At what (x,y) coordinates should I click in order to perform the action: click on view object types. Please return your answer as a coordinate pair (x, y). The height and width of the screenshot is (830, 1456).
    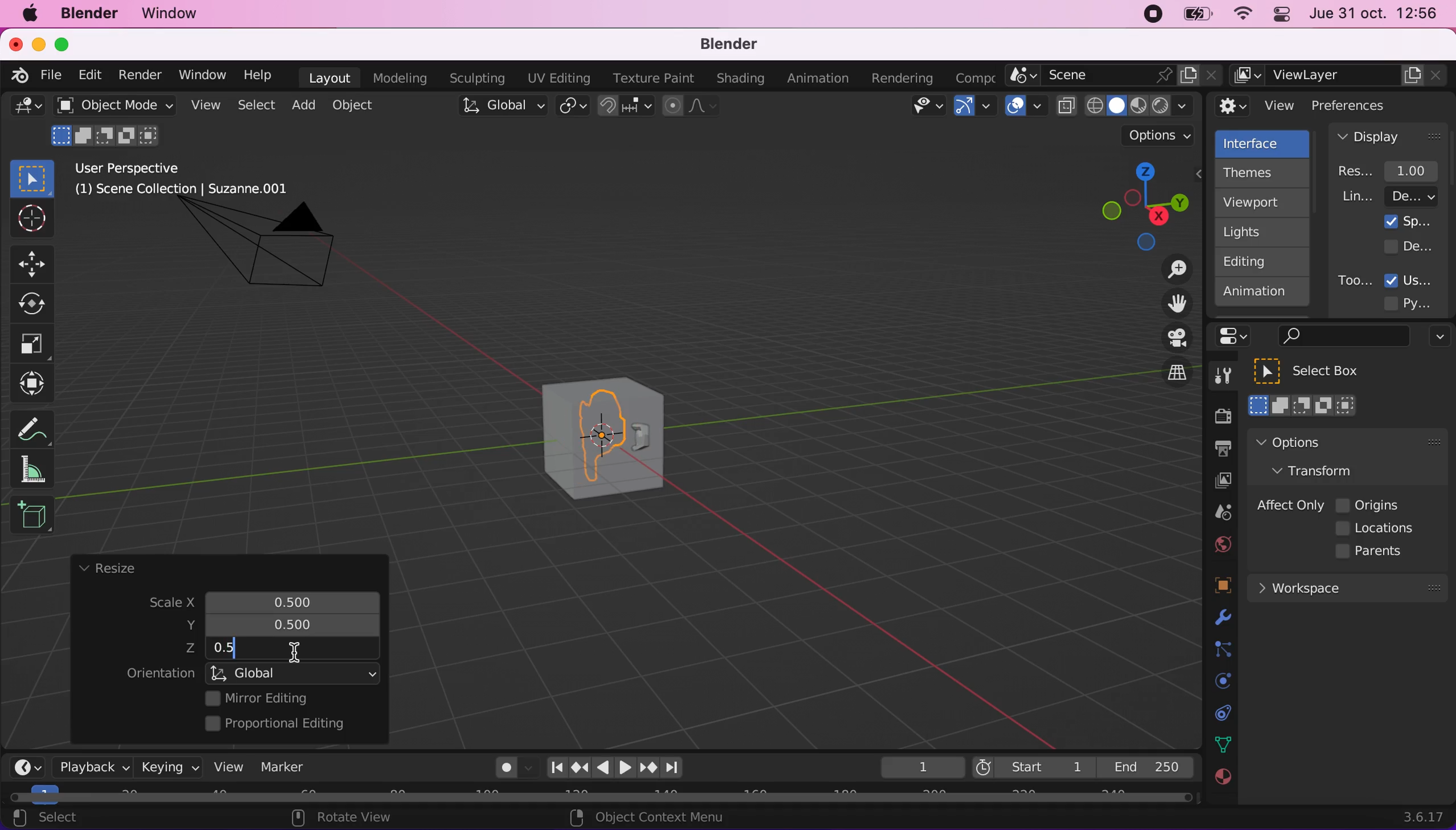
    Looking at the image, I should click on (925, 108).